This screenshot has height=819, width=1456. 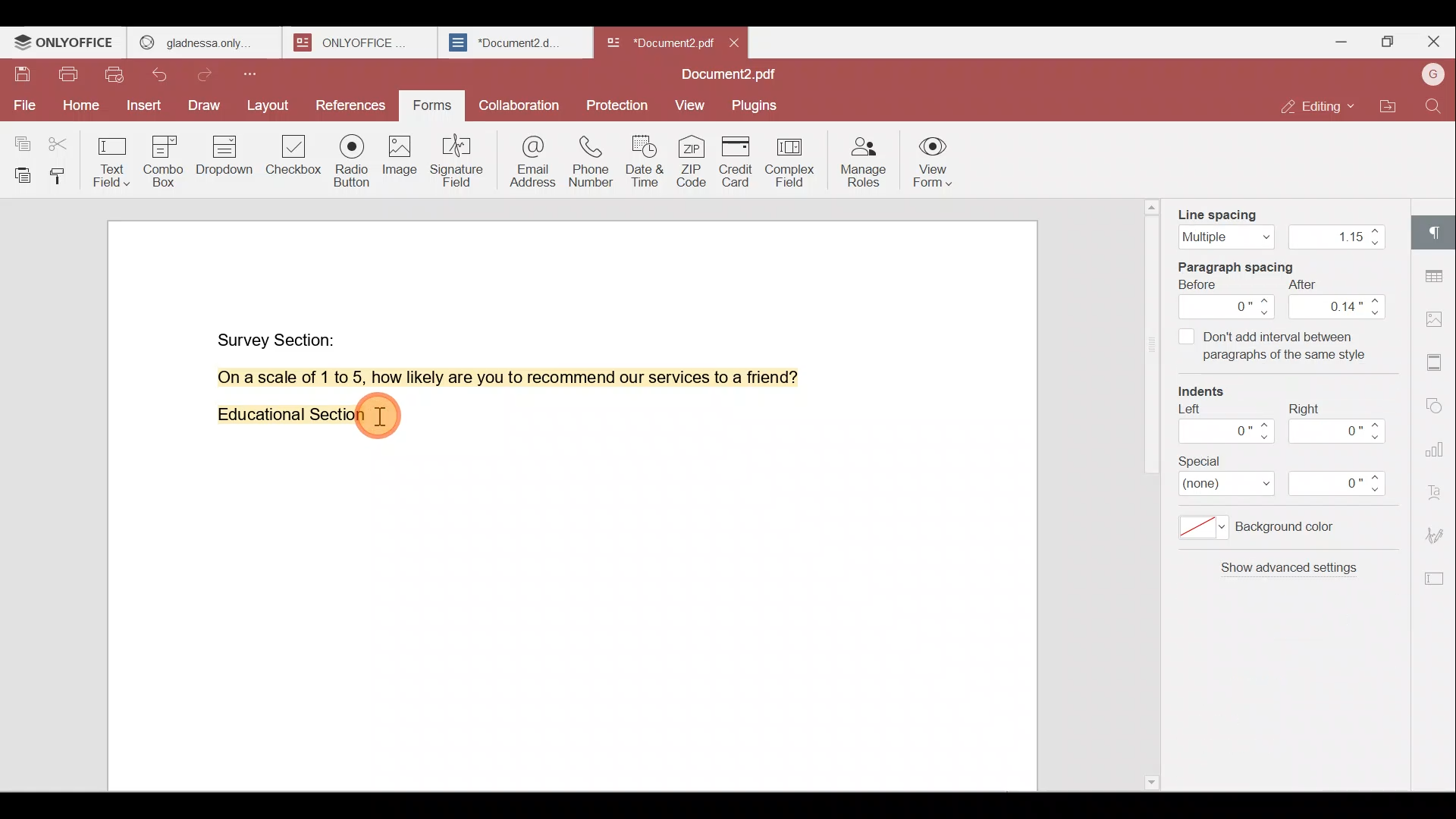 What do you see at coordinates (1228, 300) in the screenshot?
I see `Before` at bounding box center [1228, 300].